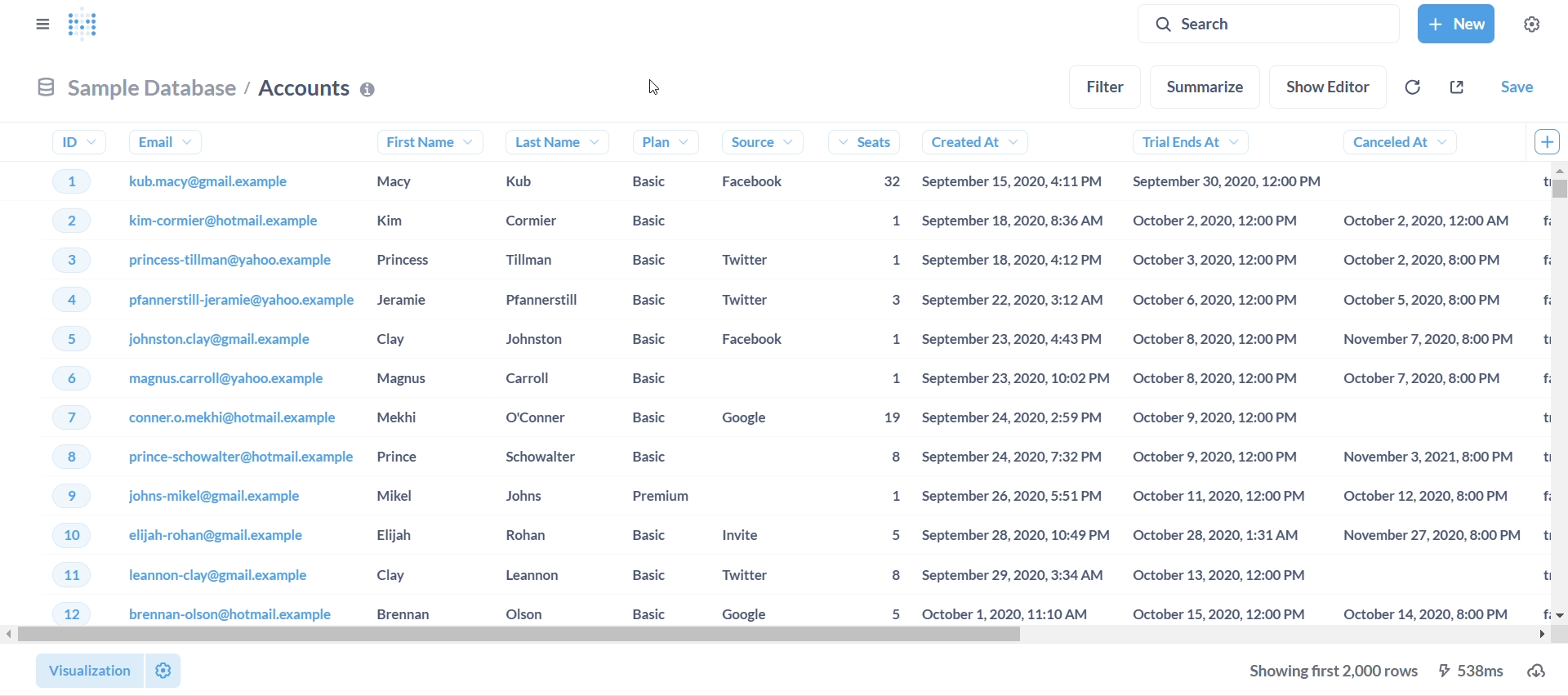 The height and width of the screenshot is (696, 1568). Describe the element at coordinates (1326, 671) in the screenshot. I see `showing first 2000 rows` at that location.